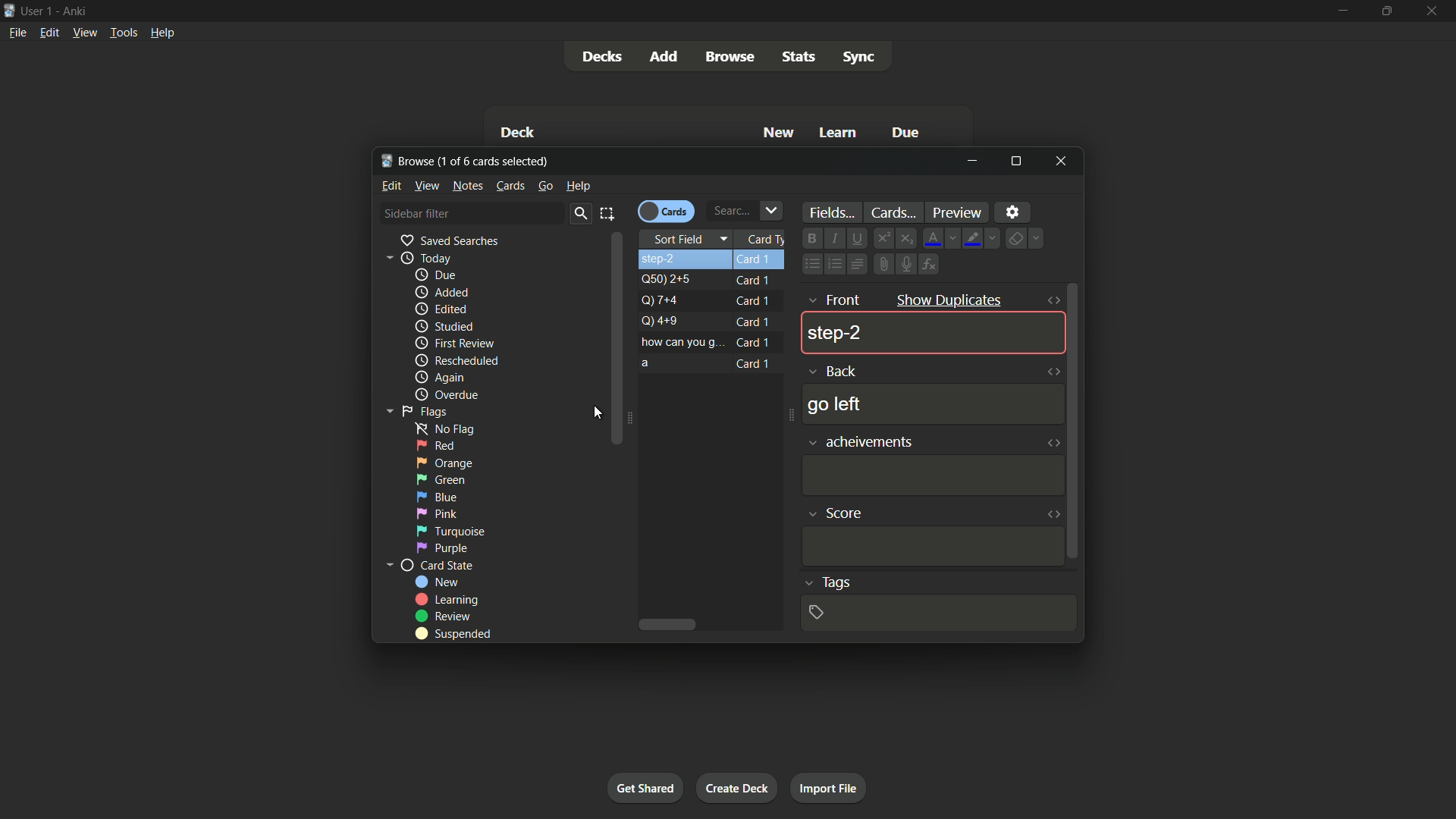  Describe the element at coordinates (444, 548) in the screenshot. I see `Purple` at that location.